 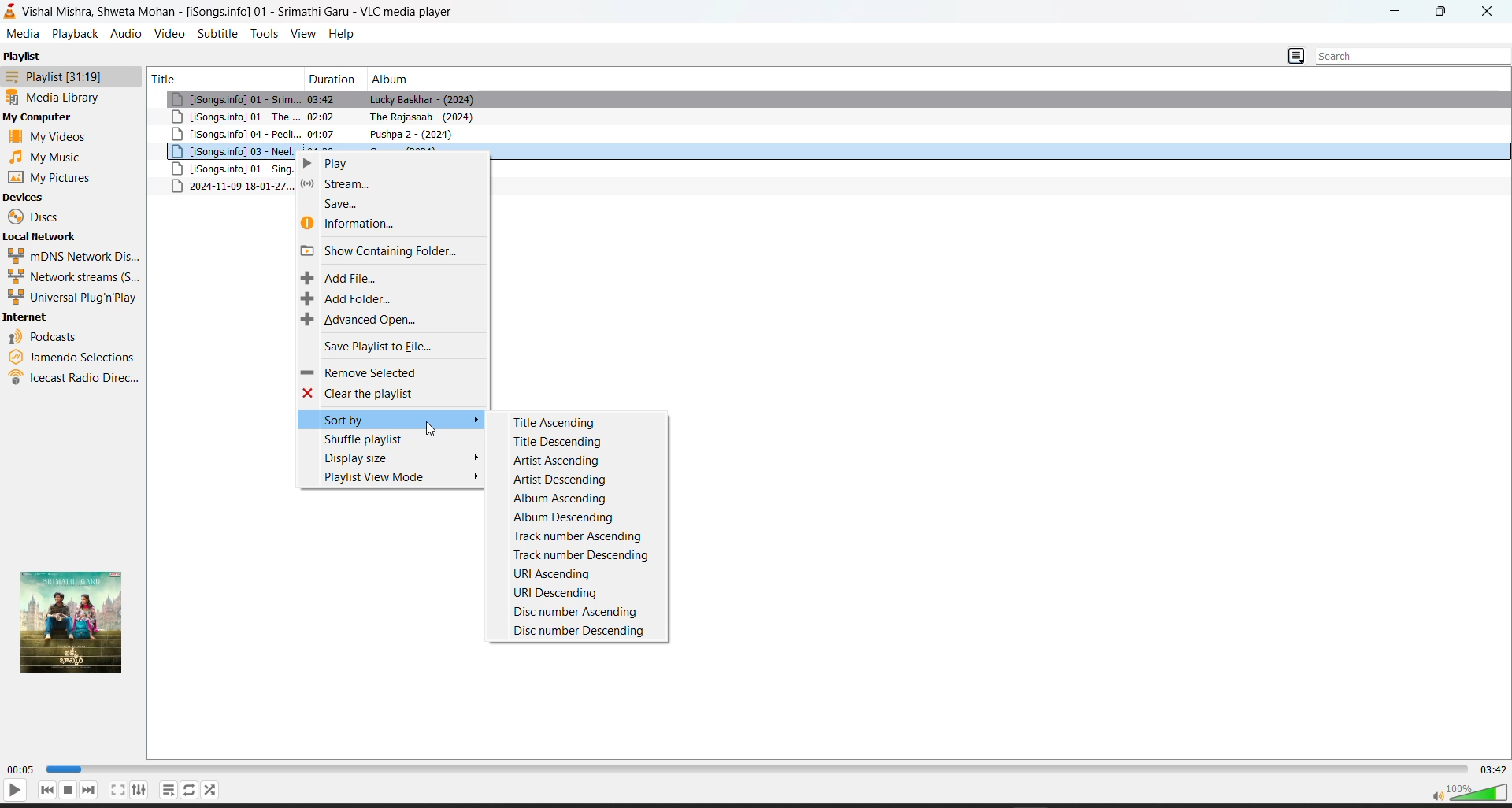 What do you see at coordinates (25, 317) in the screenshot?
I see `internet` at bounding box center [25, 317].